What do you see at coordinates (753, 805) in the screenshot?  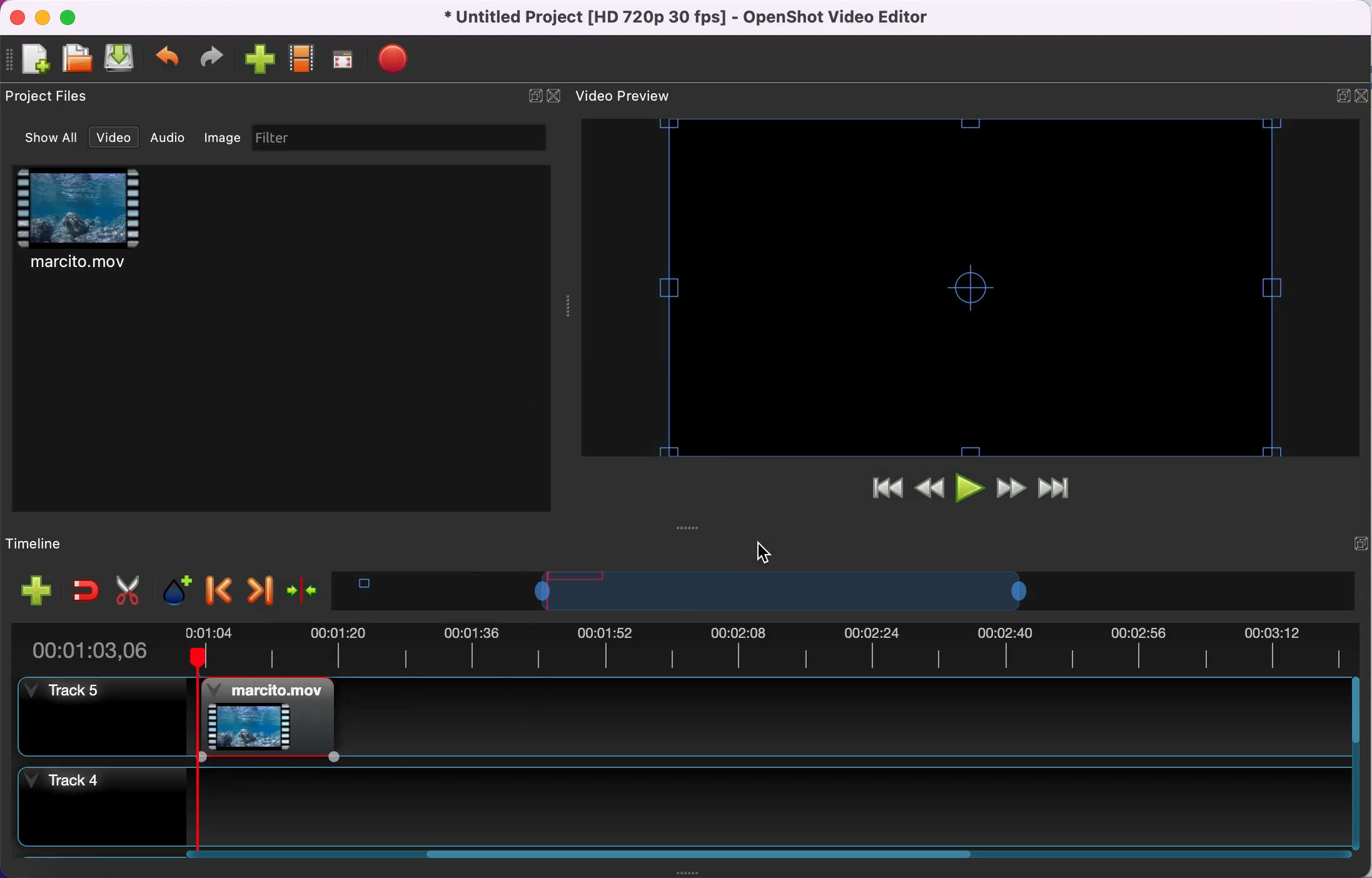 I see `timeline` at bounding box center [753, 805].